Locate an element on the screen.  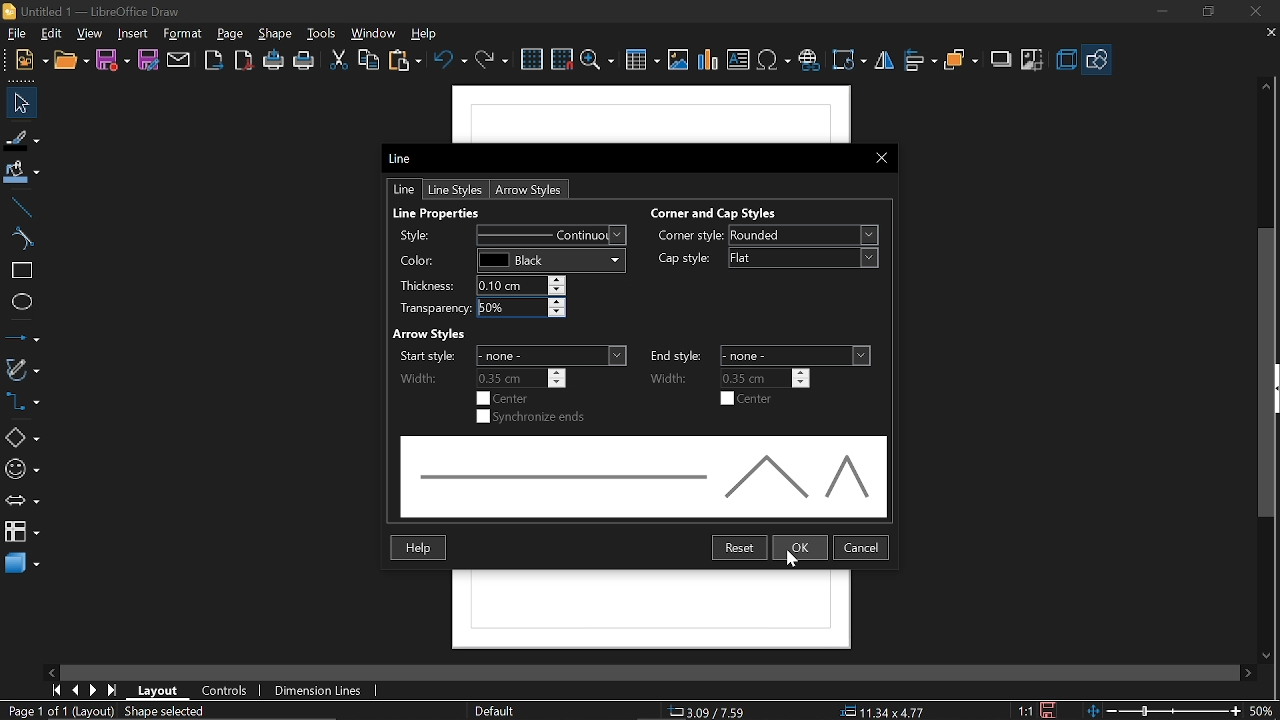
Line style preview is located at coordinates (637, 476).